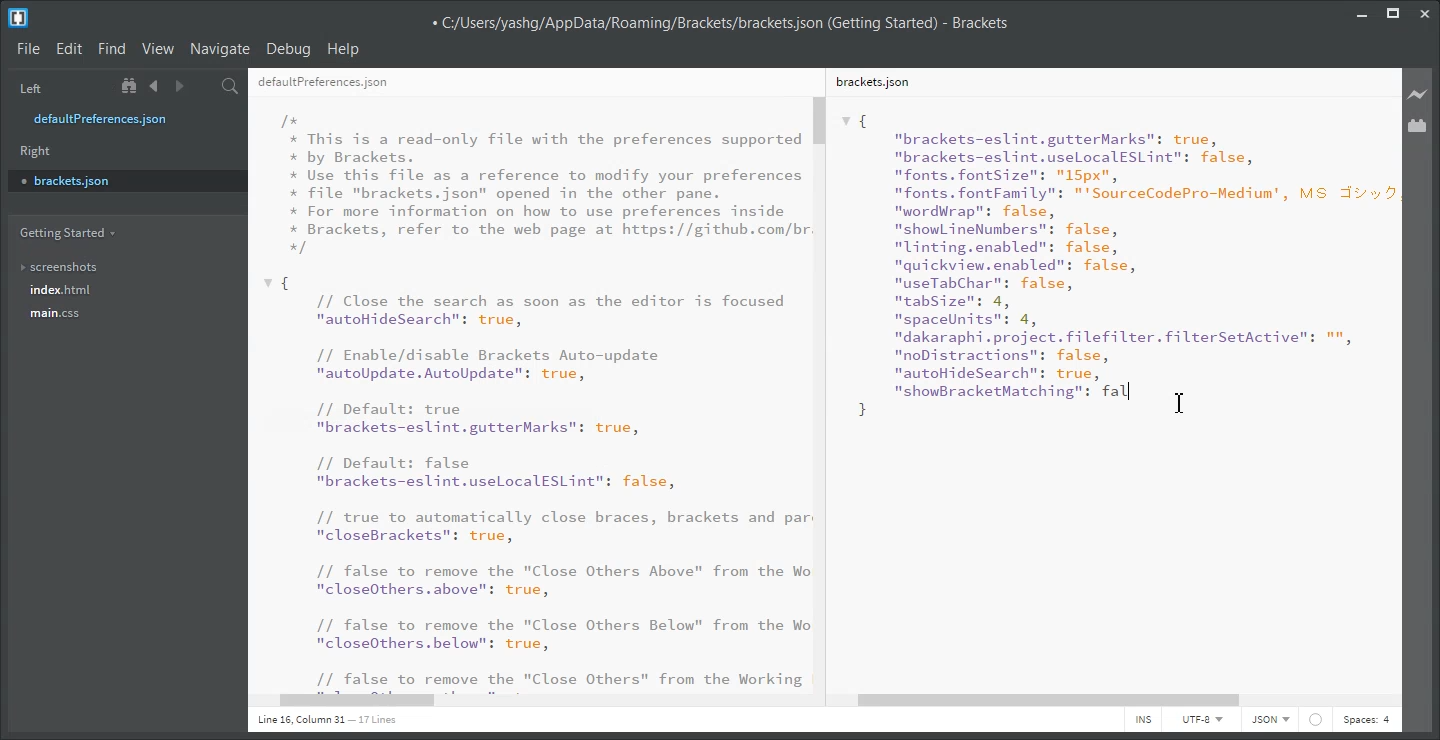  What do you see at coordinates (69, 49) in the screenshot?
I see `Edit` at bounding box center [69, 49].